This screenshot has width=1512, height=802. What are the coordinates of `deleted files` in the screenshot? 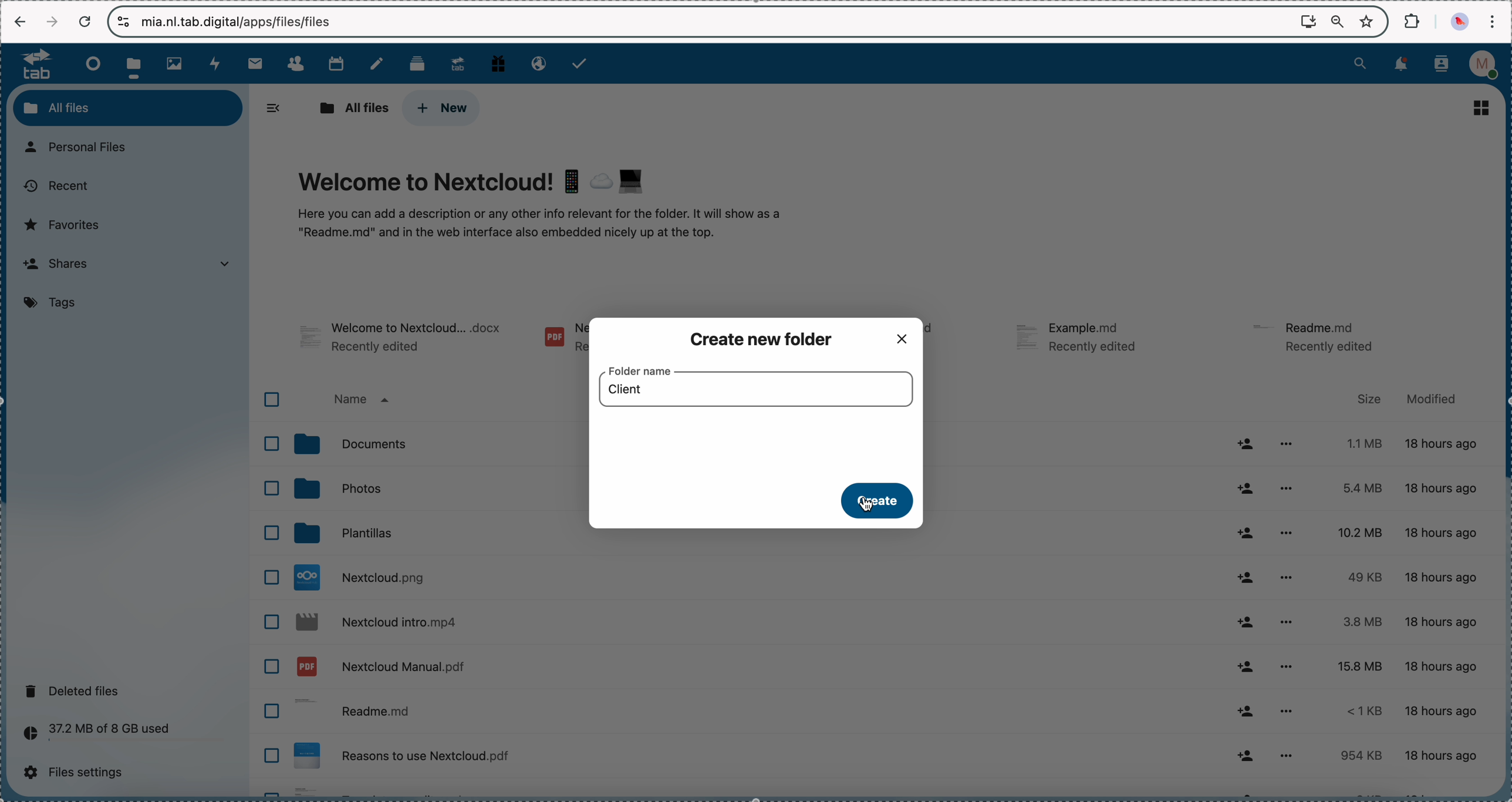 It's located at (76, 690).